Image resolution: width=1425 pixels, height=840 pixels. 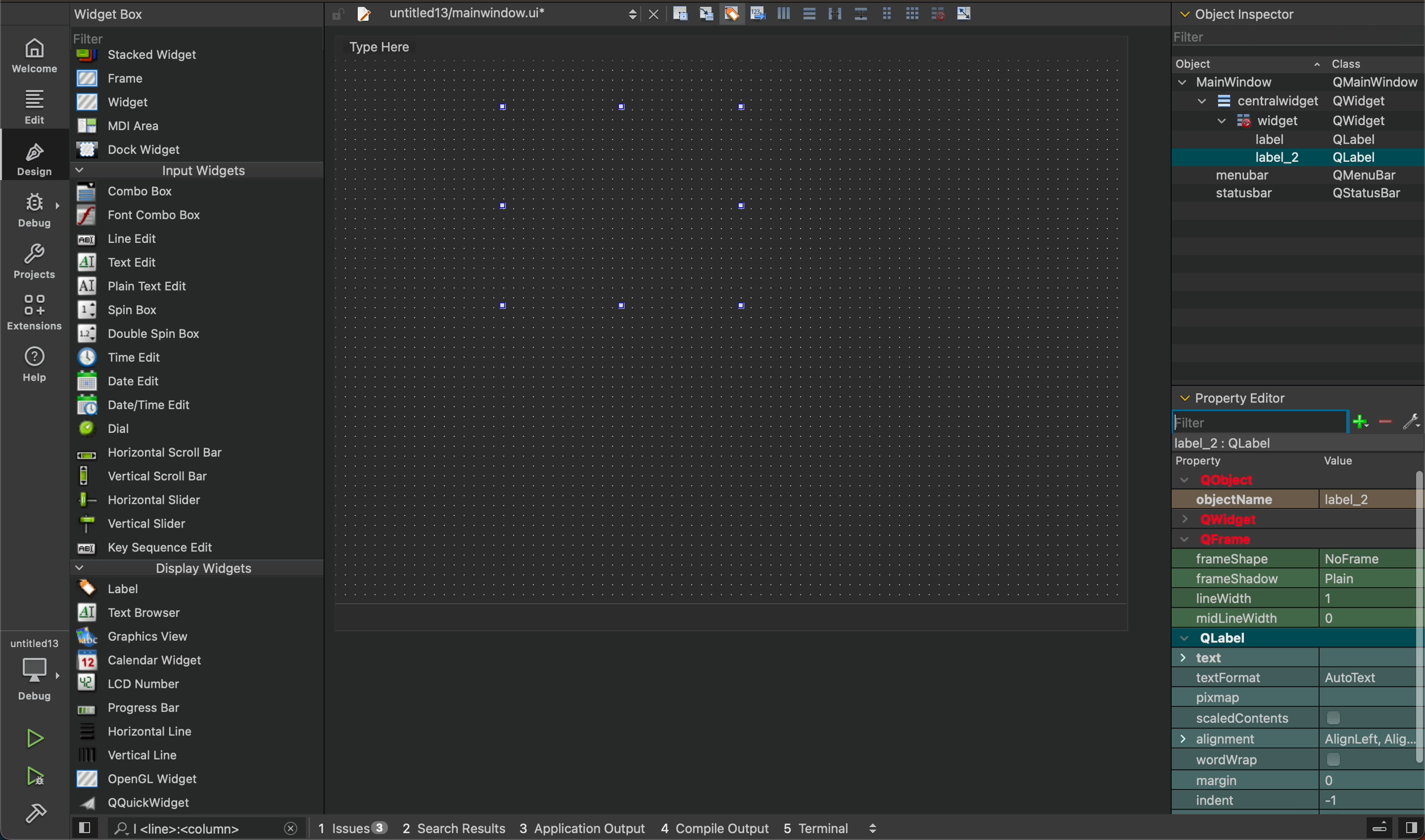 What do you see at coordinates (1276, 397) in the screenshot?
I see `property editor` at bounding box center [1276, 397].